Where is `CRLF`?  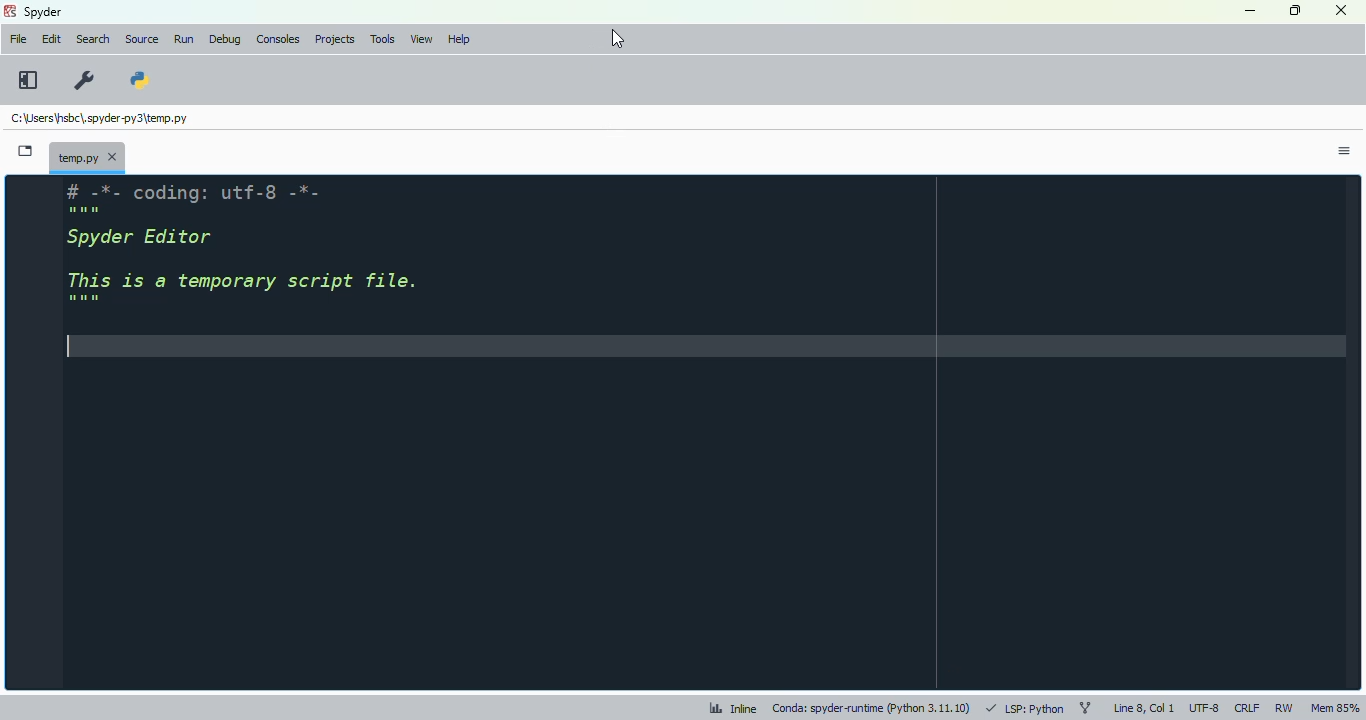
CRLF is located at coordinates (1248, 707).